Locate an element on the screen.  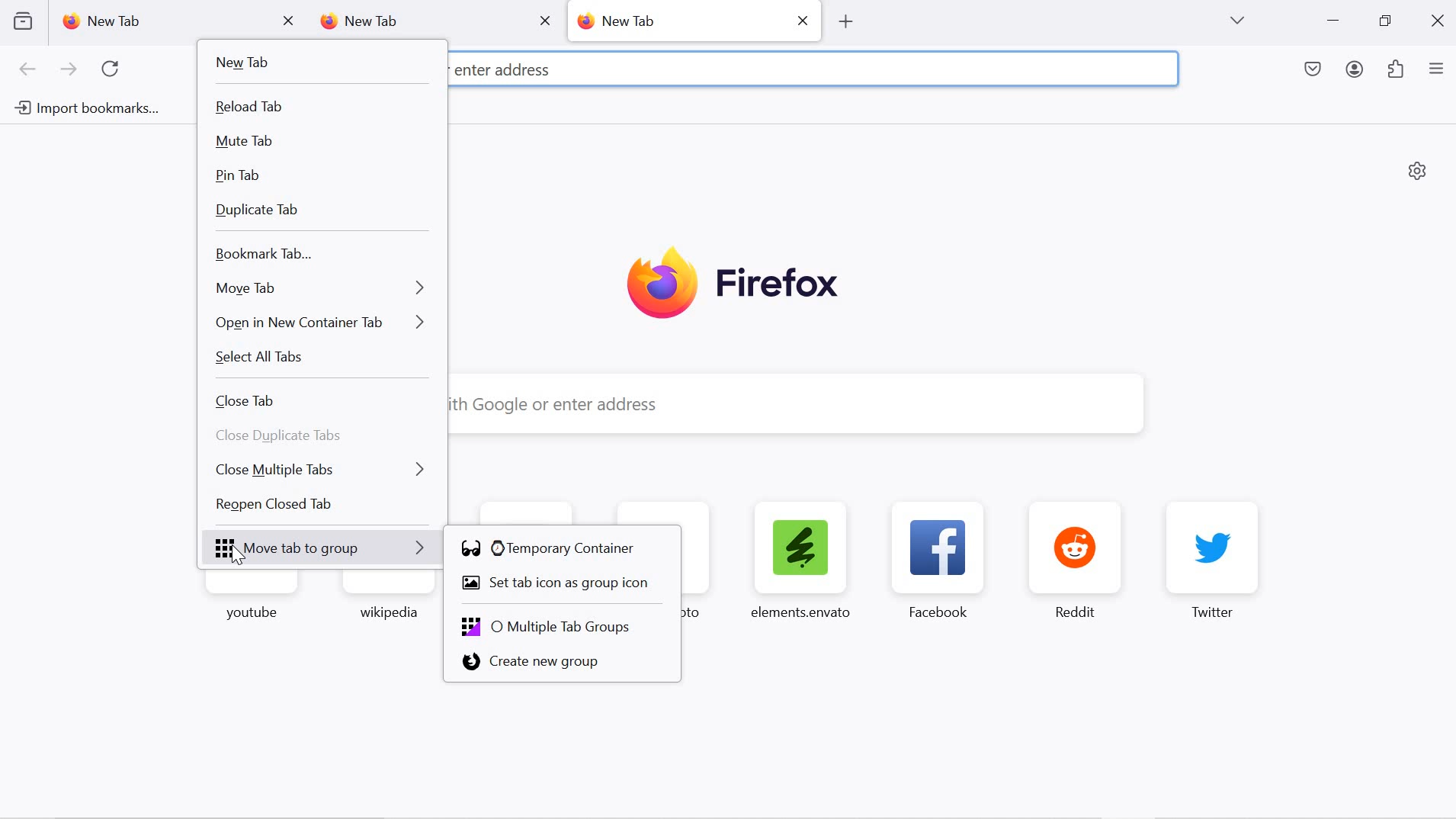
reload is located at coordinates (114, 69).